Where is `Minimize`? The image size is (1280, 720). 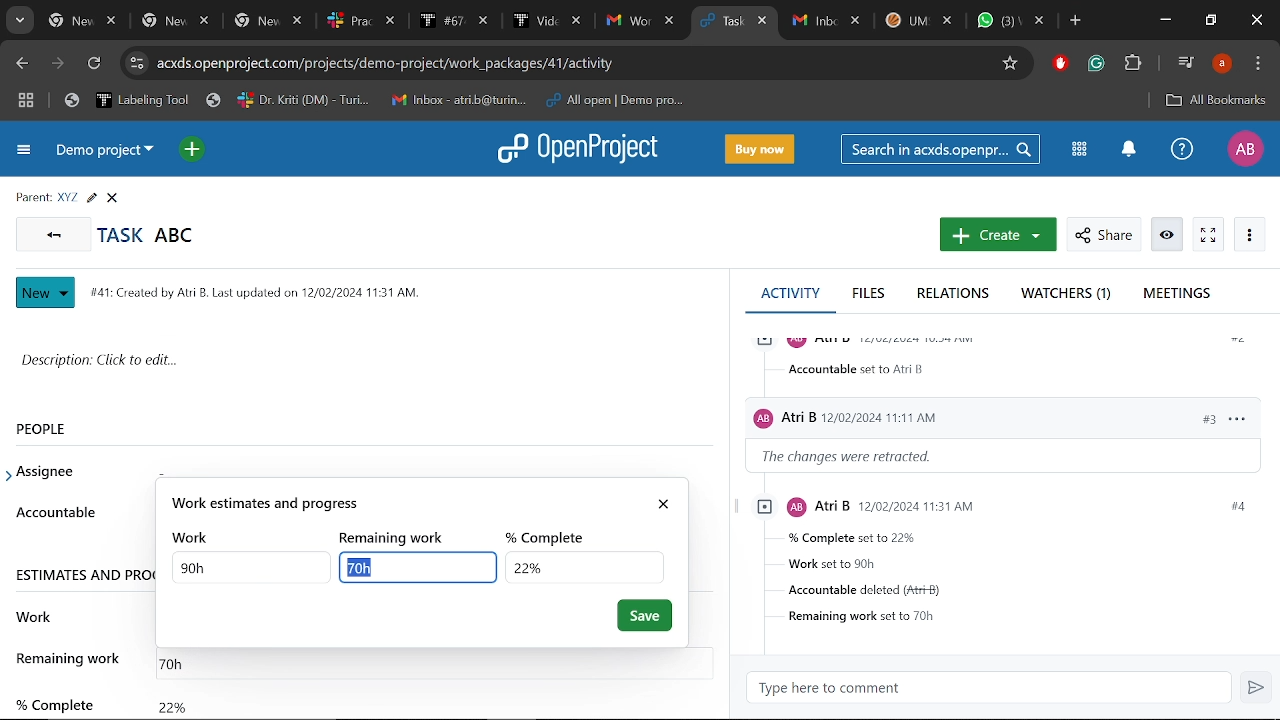
Minimize is located at coordinates (1164, 22).